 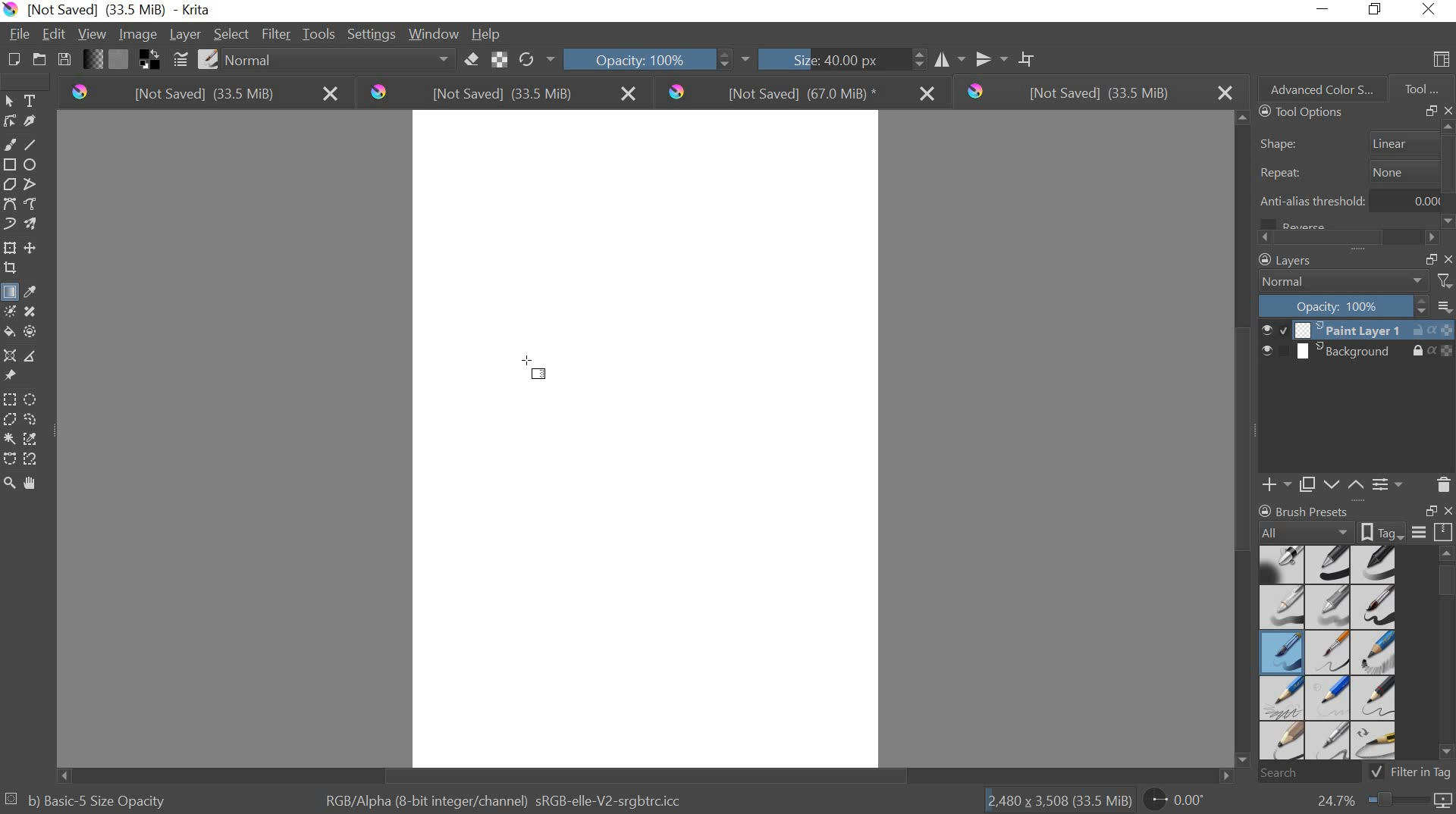 I want to click on TOOL, so click(x=1423, y=88).